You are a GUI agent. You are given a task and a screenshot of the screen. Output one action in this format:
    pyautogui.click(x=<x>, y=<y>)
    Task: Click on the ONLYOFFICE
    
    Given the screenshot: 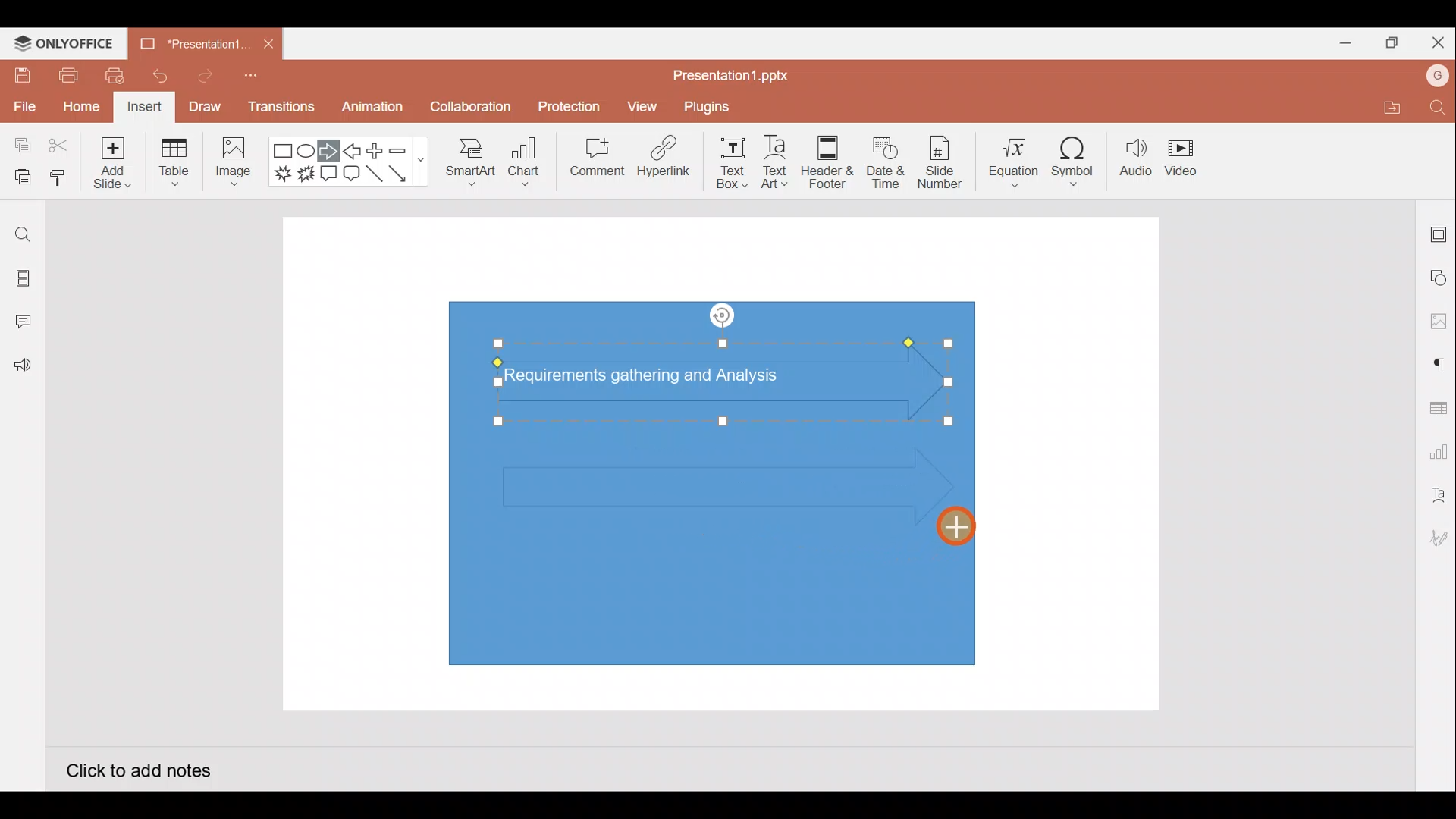 What is the action you would take?
    pyautogui.click(x=64, y=43)
    